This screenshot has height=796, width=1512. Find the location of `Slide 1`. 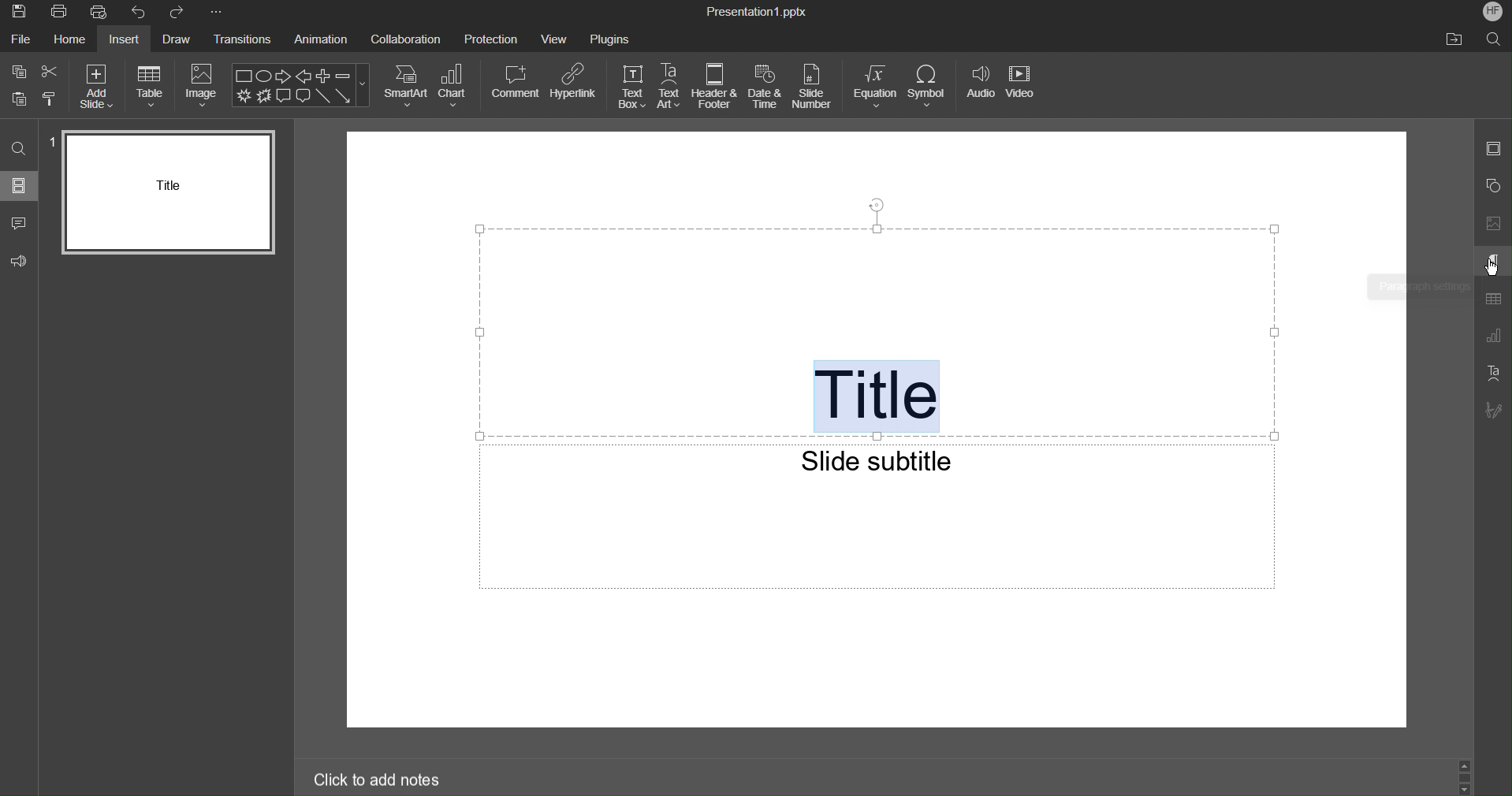

Slide 1 is located at coordinates (169, 192).